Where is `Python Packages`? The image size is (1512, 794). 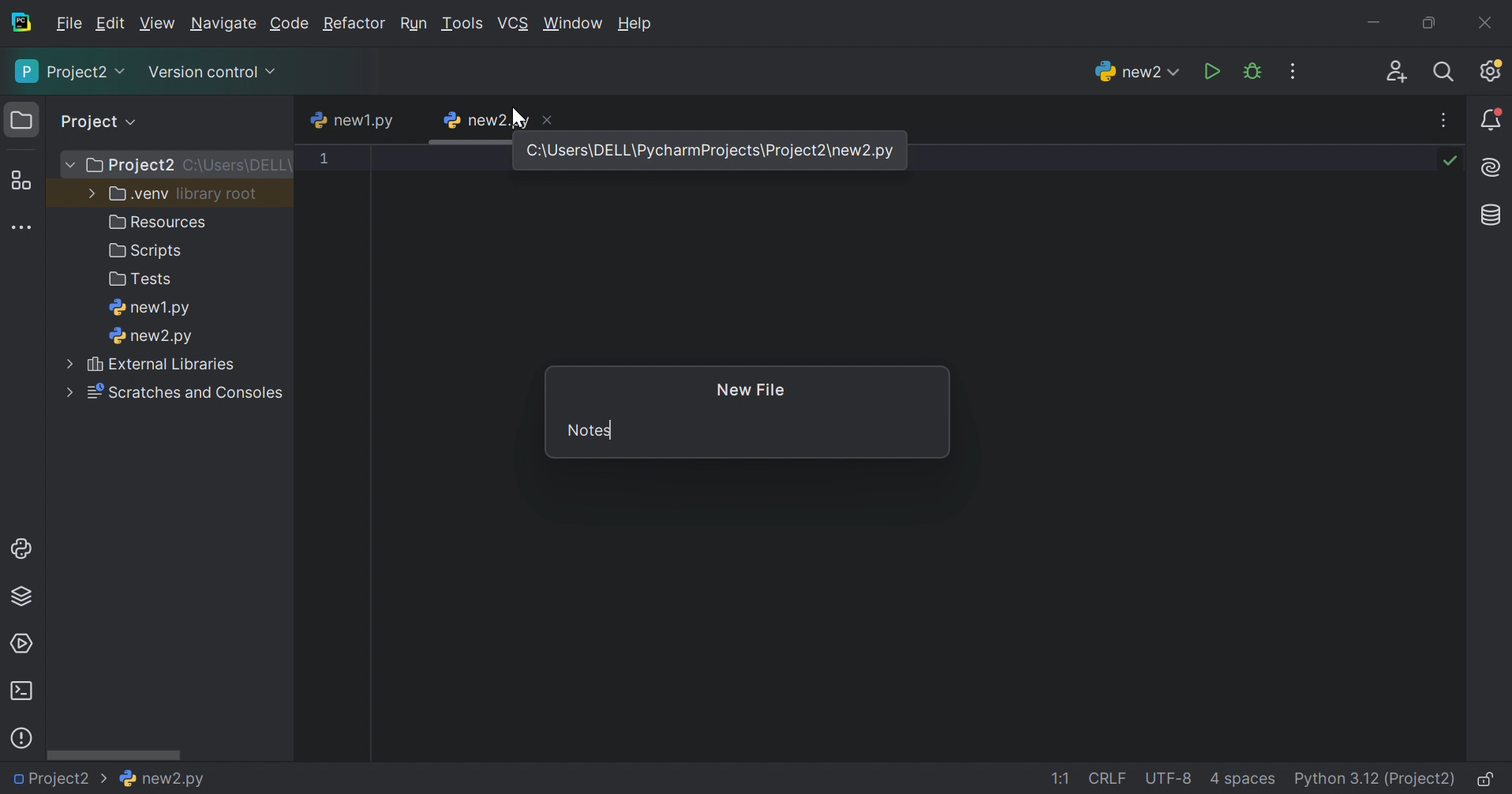
Python Packages is located at coordinates (28, 599).